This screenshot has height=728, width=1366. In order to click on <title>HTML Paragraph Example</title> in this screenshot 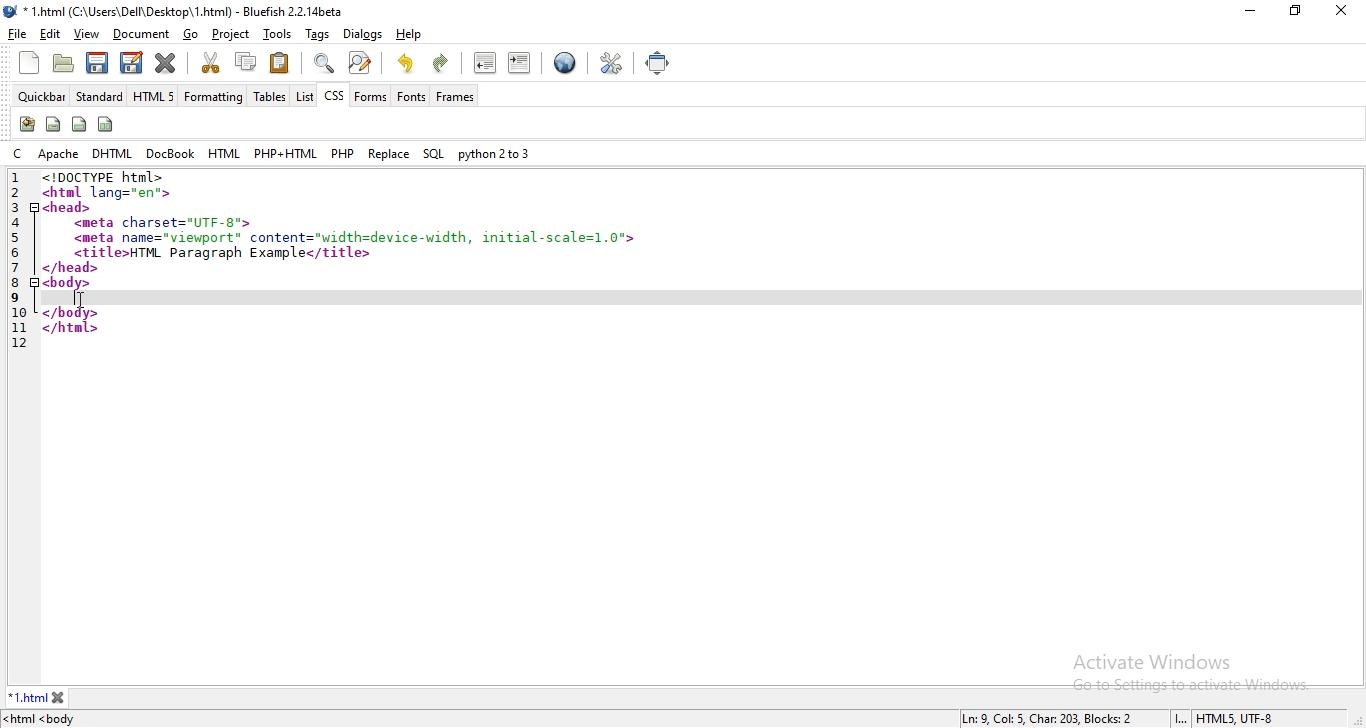, I will do `click(223, 253)`.